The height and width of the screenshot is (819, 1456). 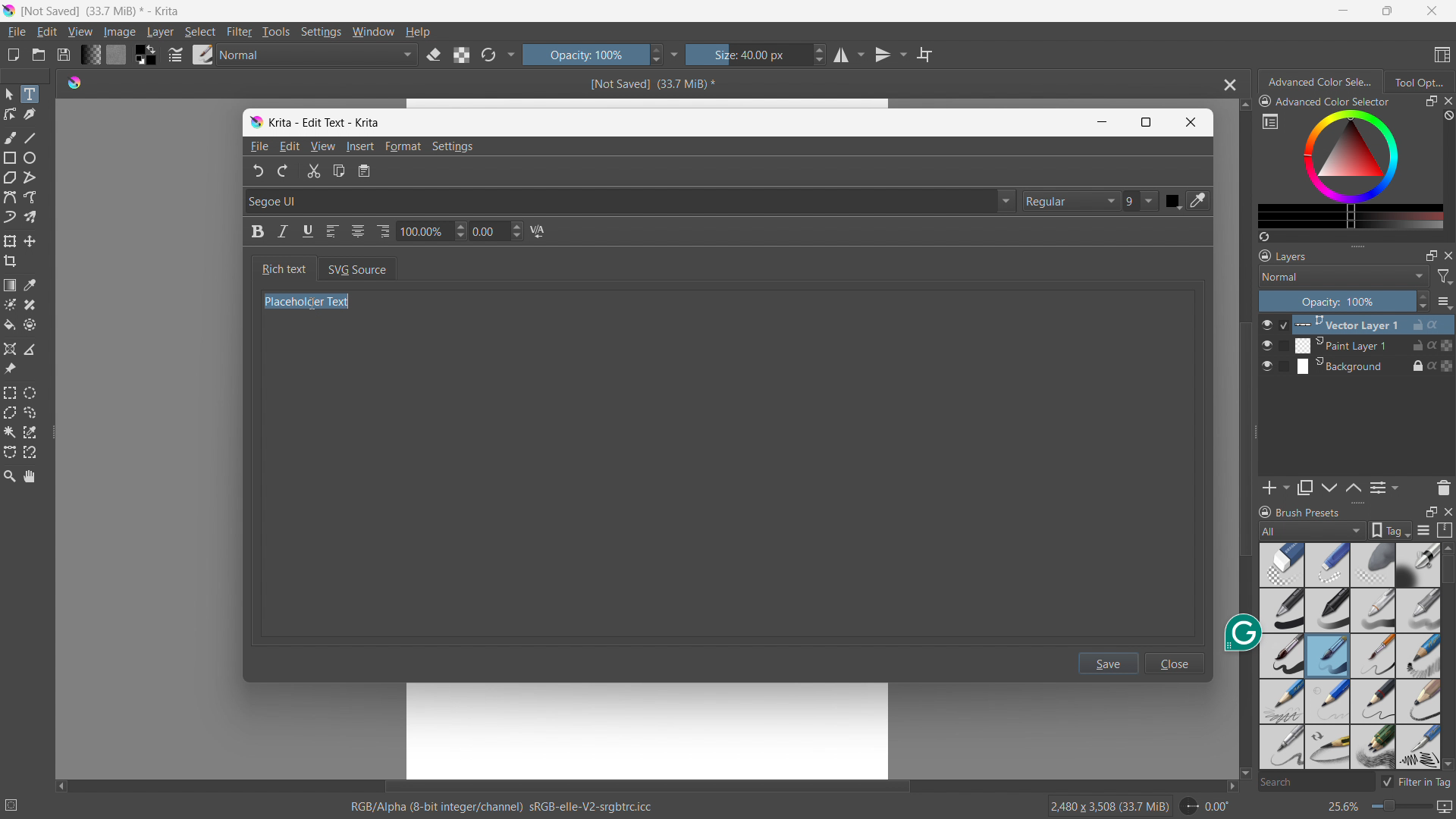 What do you see at coordinates (30, 325) in the screenshot?
I see `enclose and fill tool` at bounding box center [30, 325].